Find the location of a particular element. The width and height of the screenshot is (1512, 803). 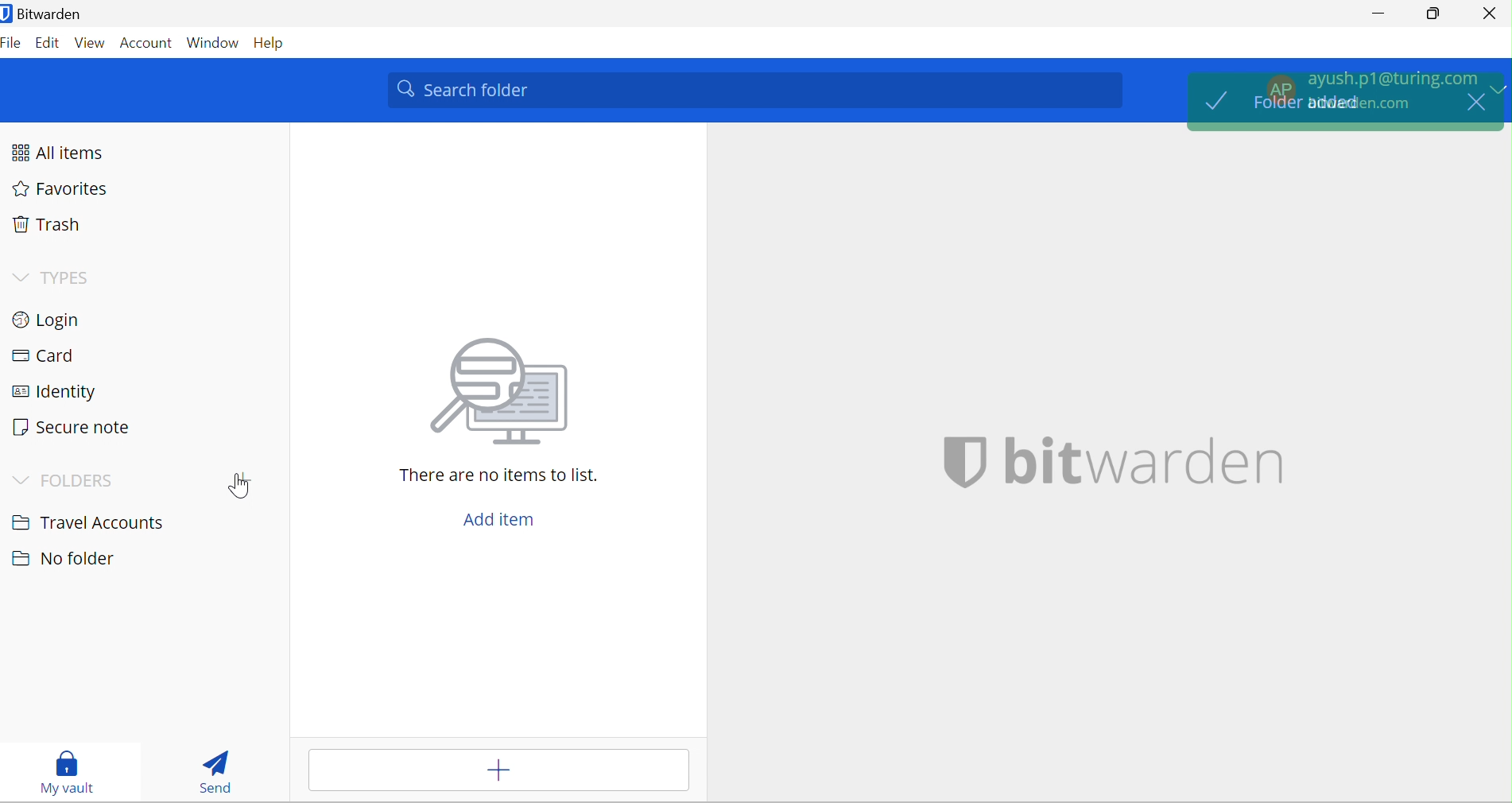

Minimize is located at coordinates (1374, 13).